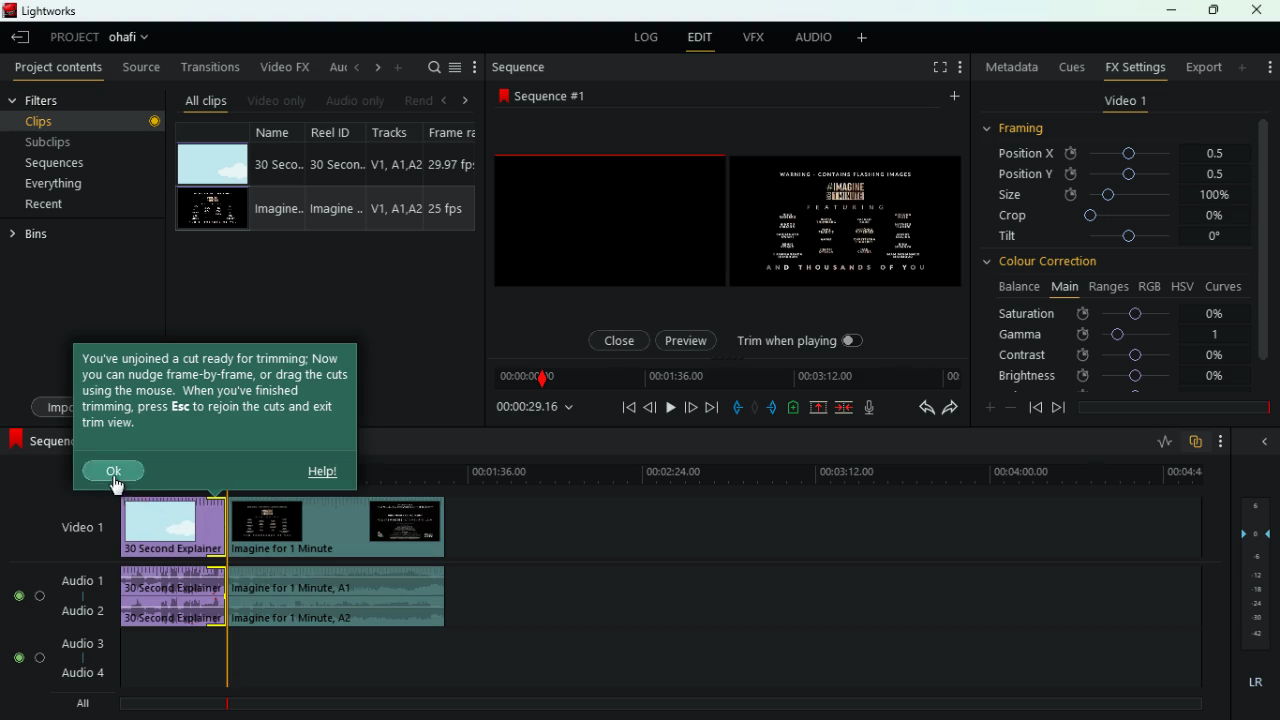  Describe the element at coordinates (774, 409) in the screenshot. I see `push` at that location.